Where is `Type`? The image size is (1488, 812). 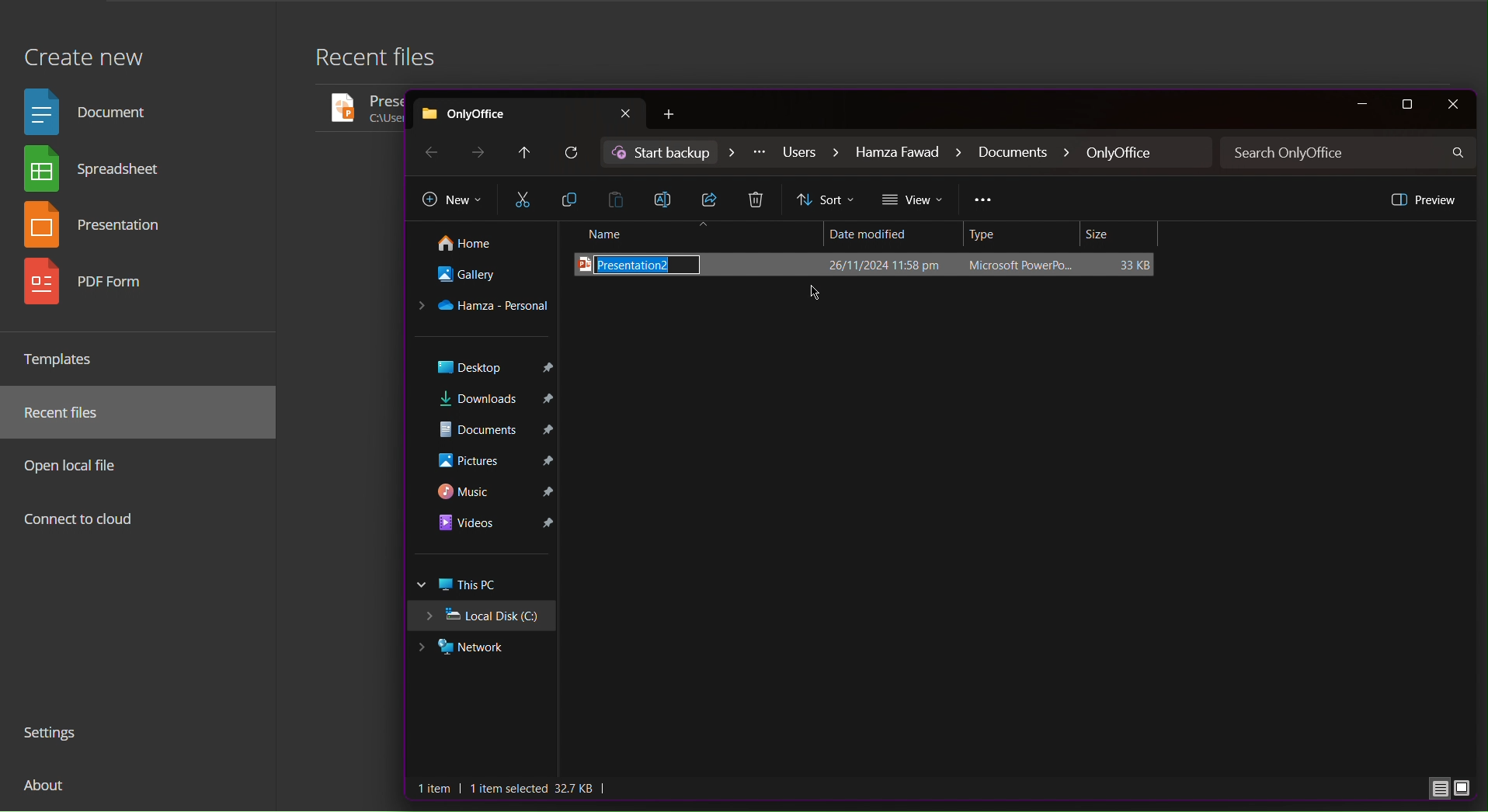
Type is located at coordinates (1024, 234).